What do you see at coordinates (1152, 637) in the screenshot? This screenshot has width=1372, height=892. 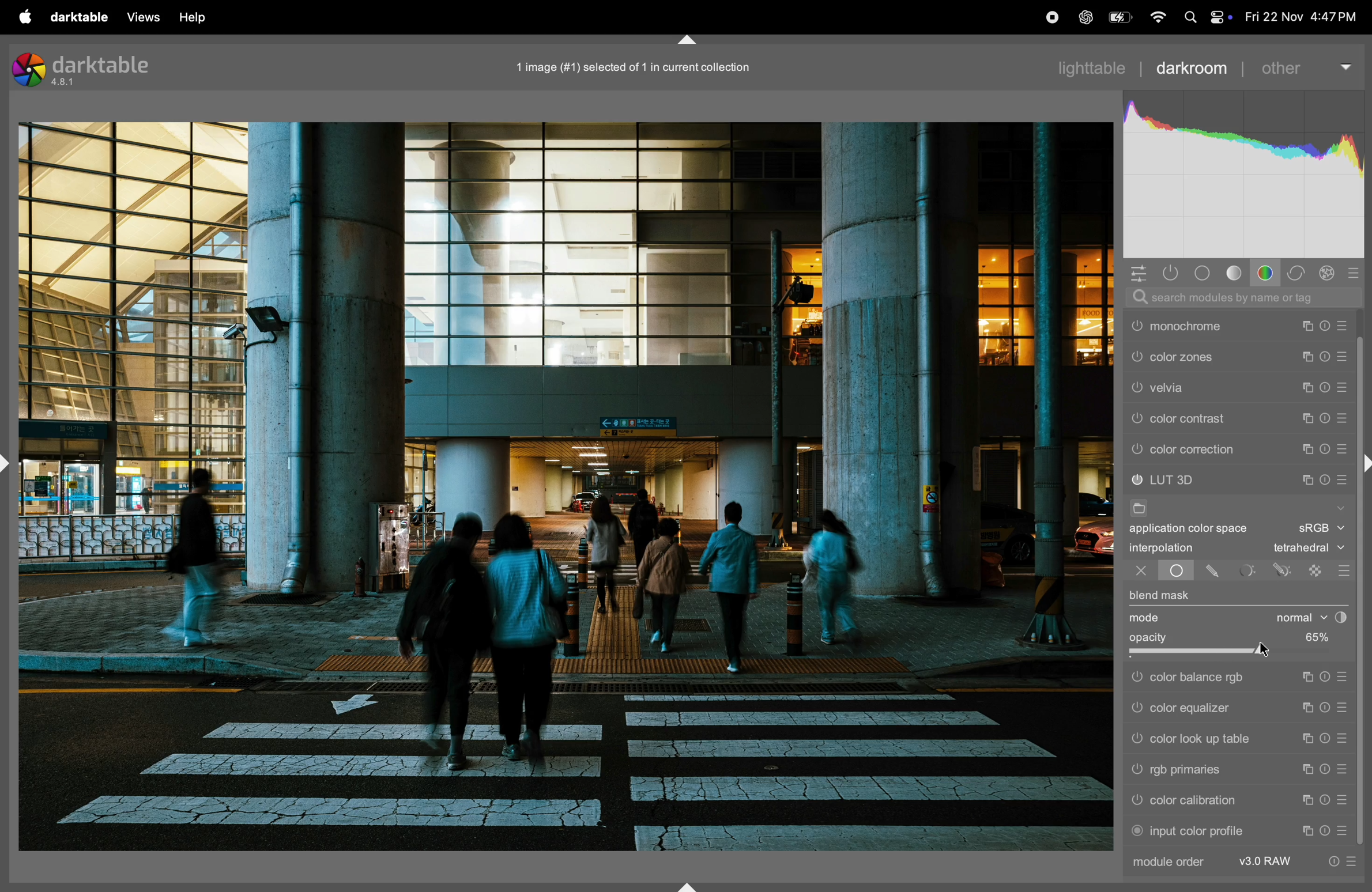 I see `opacity` at bounding box center [1152, 637].